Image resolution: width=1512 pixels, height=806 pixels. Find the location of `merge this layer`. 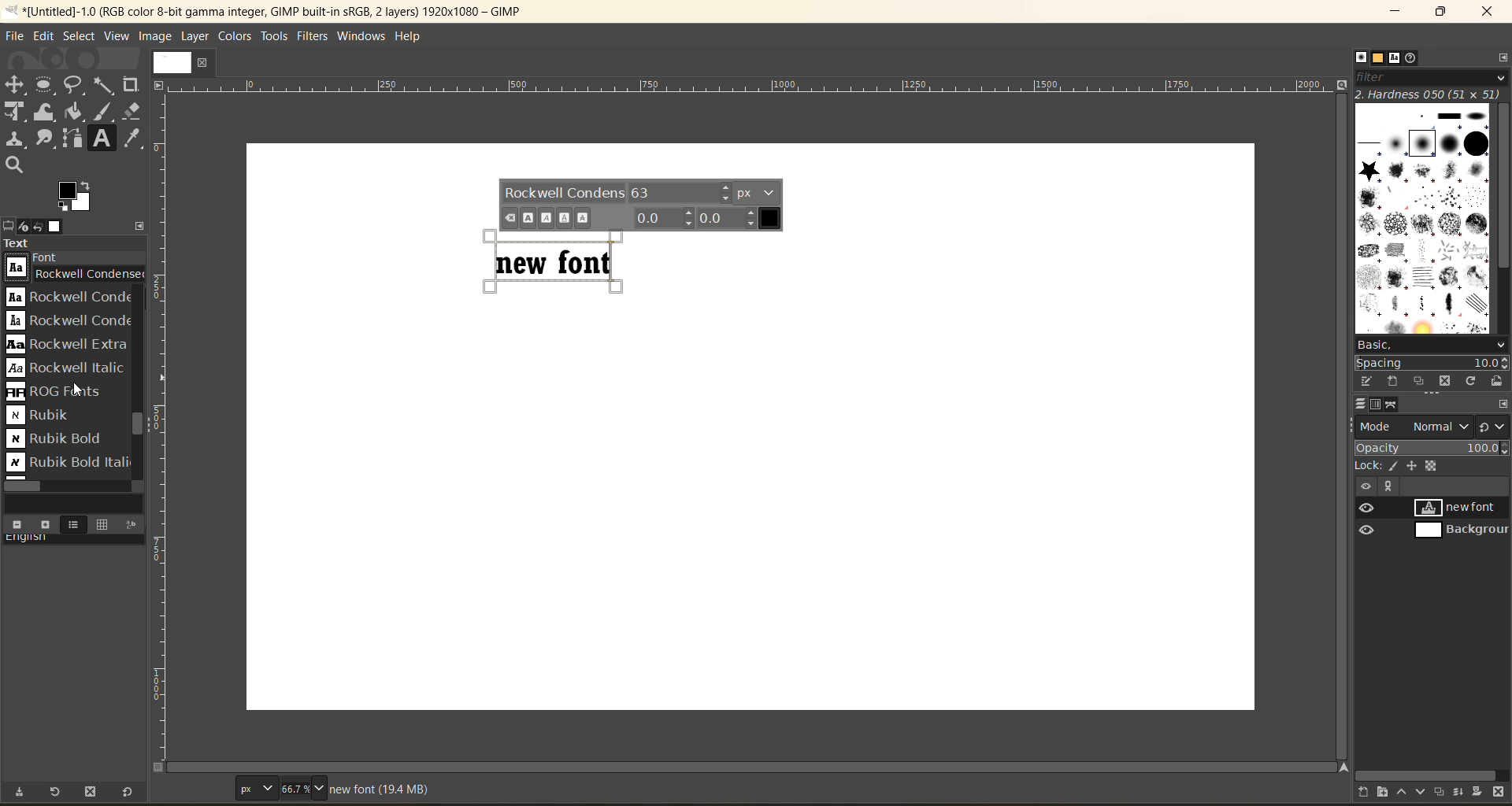

merge this layer is located at coordinates (1464, 793).